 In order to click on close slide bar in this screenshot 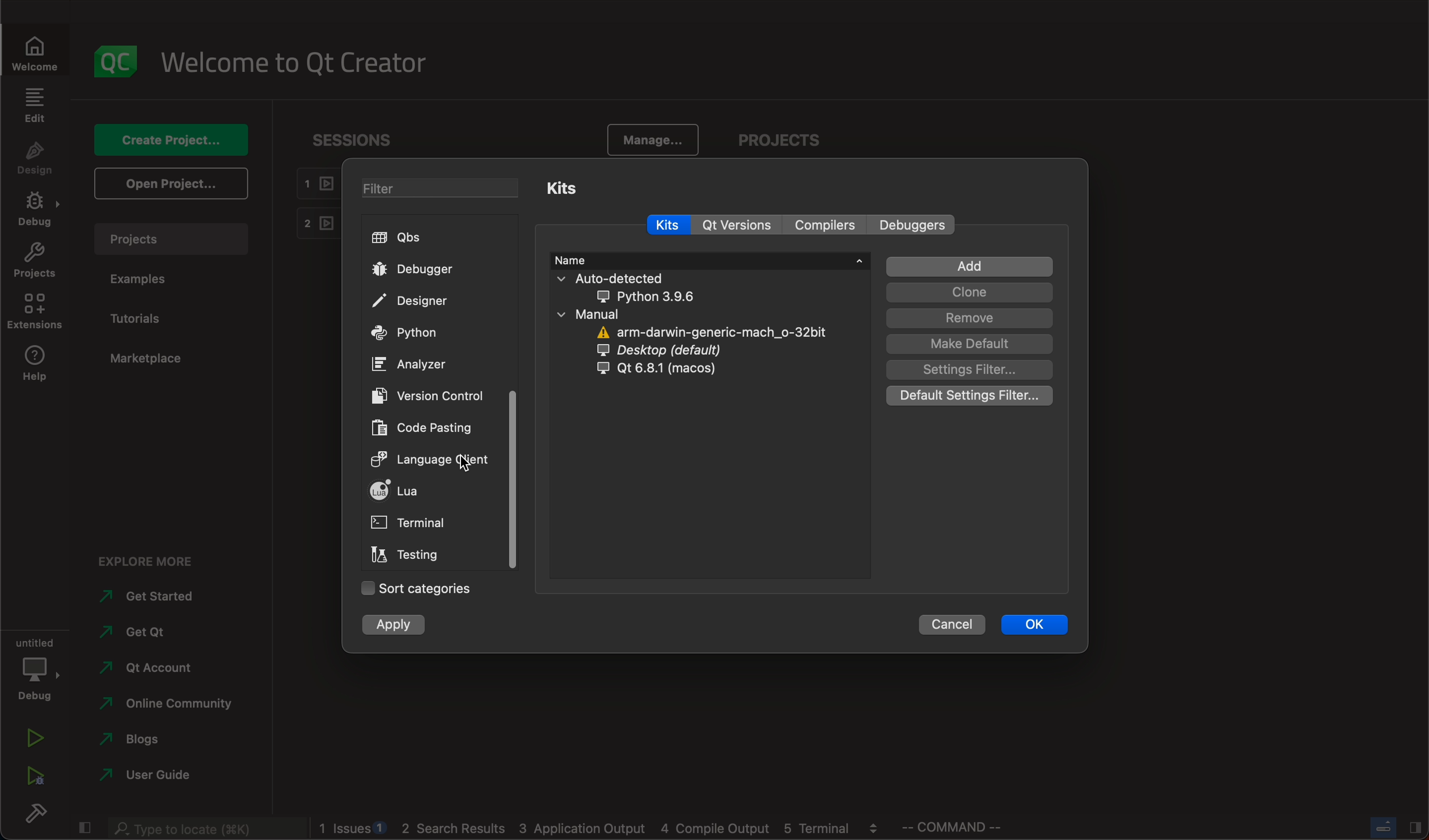, I will do `click(83, 829)`.